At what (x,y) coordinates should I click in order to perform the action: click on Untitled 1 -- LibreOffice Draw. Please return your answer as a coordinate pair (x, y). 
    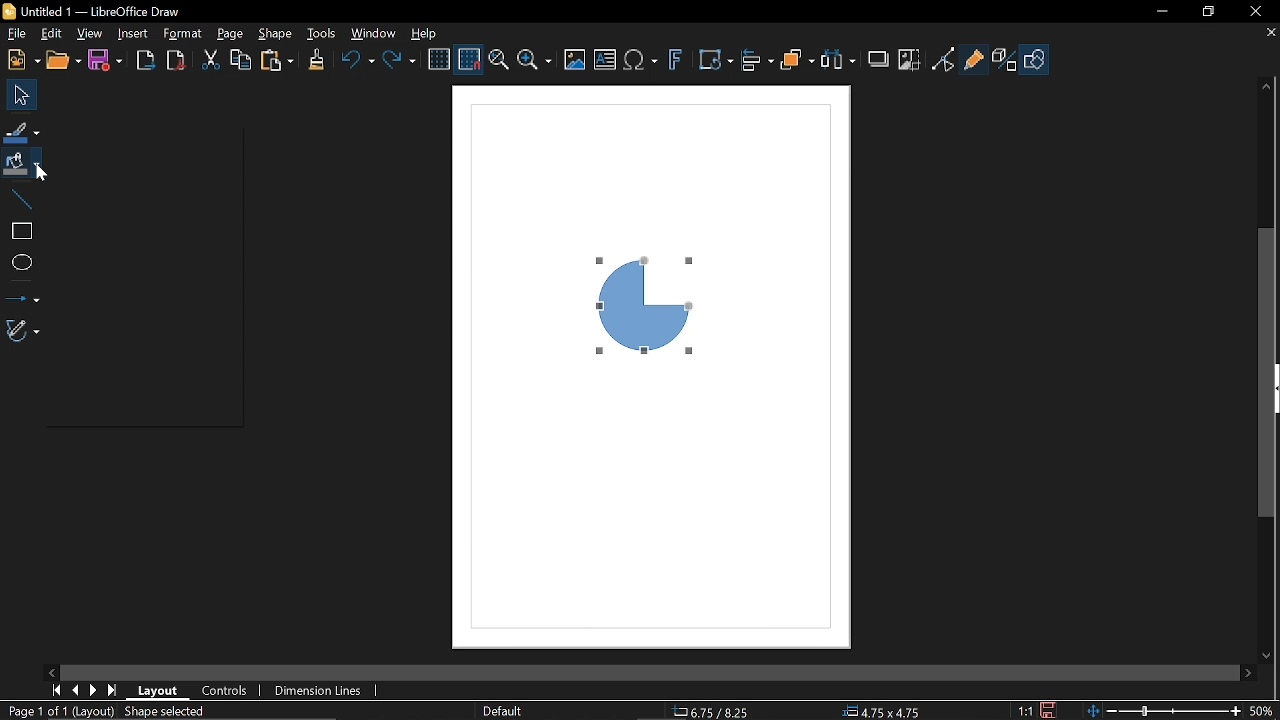
    Looking at the image, I should click on (125, 10).